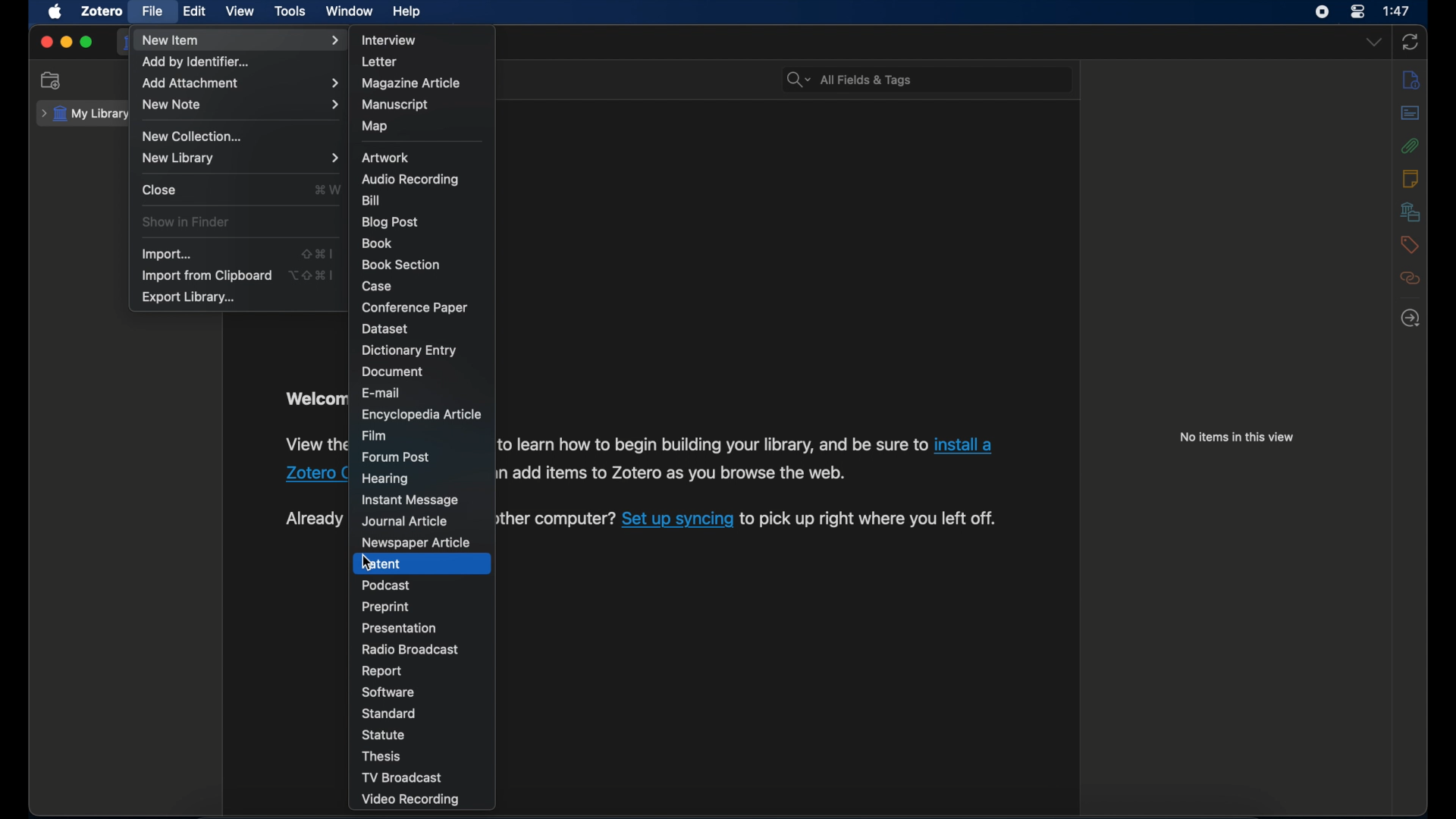 This screenshot has width=1456, height=819. Describe the element at coordinates (397, 457) in the screenshot. I see `forum post` at that location.